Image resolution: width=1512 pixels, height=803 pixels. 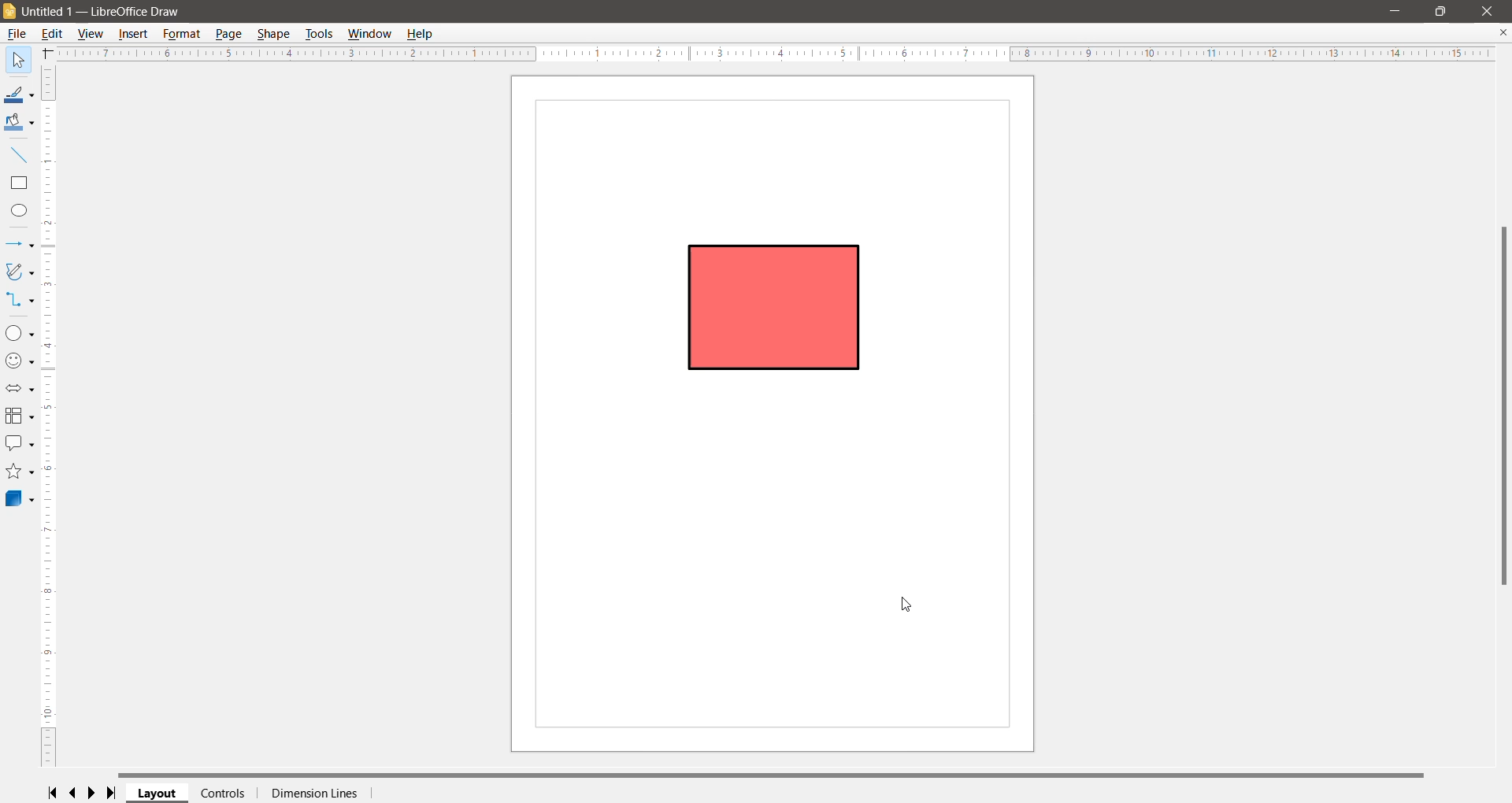 What do you see at coordinates (1395, 10) in the screenshot?
I see `Minimize` at bounding box center [1395, 10].